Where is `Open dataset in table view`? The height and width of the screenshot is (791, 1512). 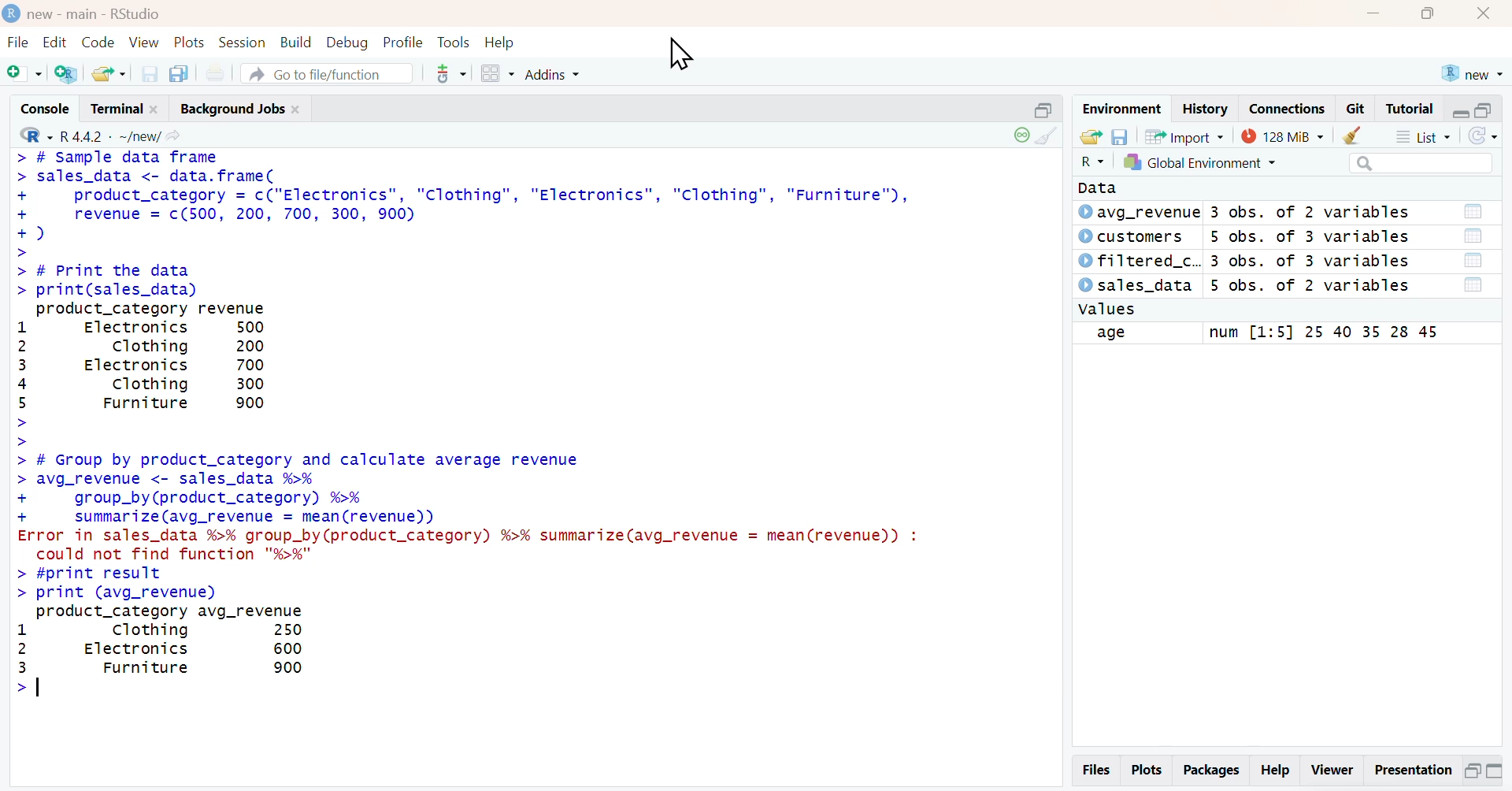
Open dataset in table view is located at coordinates (1473, 249).